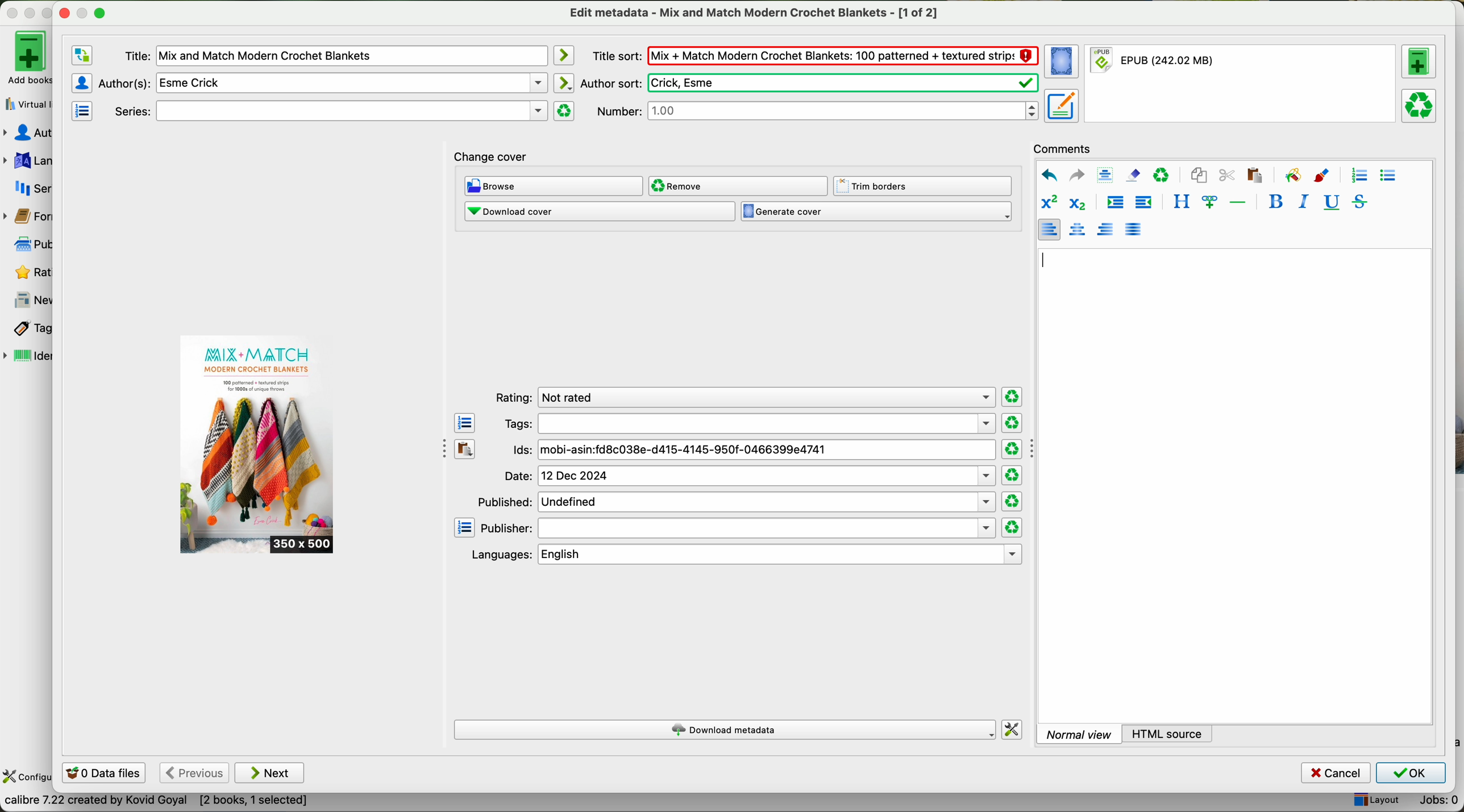 The height and width of the screenshot is (812, 1464). What do you see at coordinates (1322, 177) in the screenshot?
I see `foreground color` at bounding box center [1322, 177].